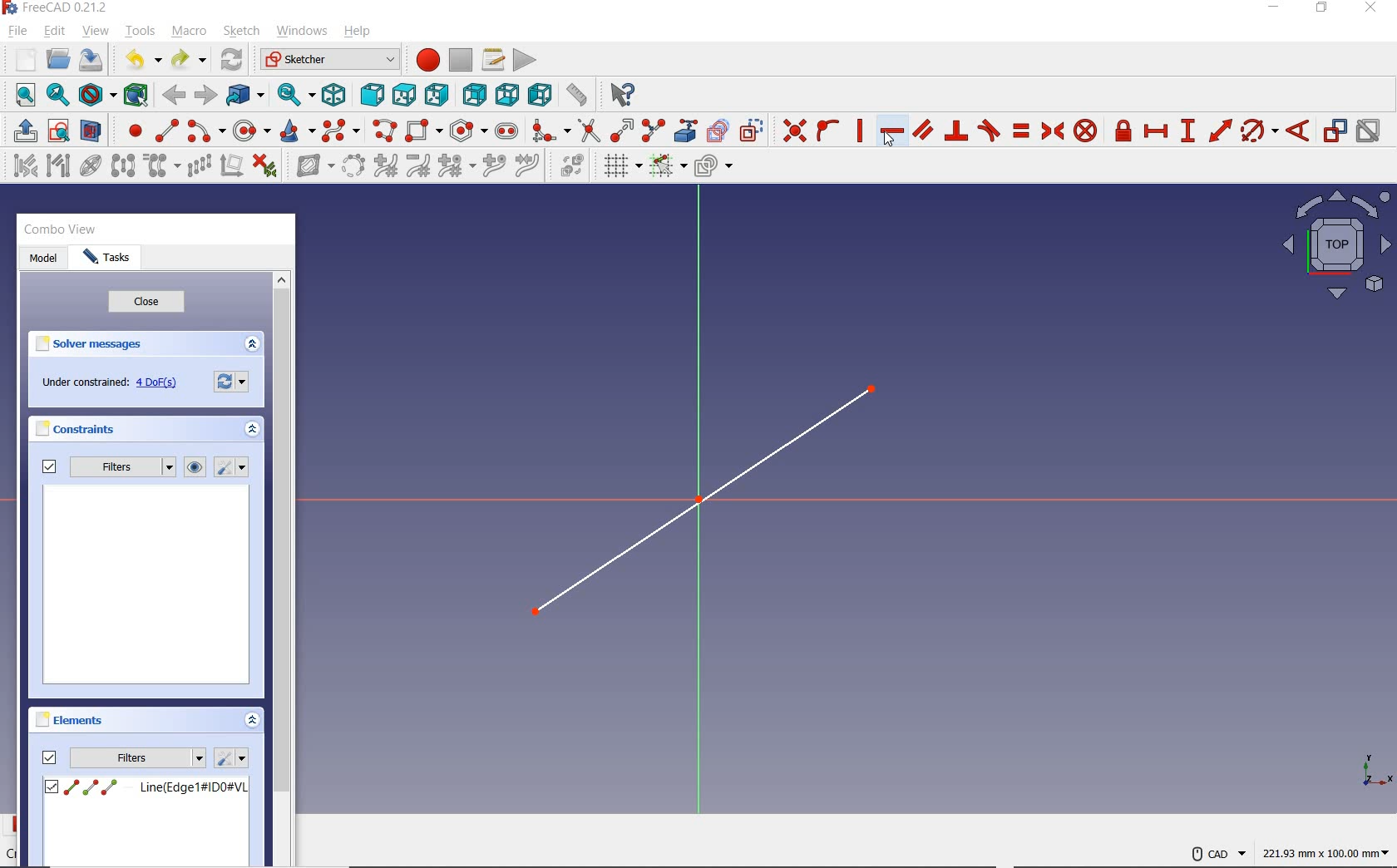 The height and width of the screenshot is (868, 1397). Describe the element at coordinates (1022, 131) in the screenshot. I see `CONSTRAIN EQUAL` at that location.